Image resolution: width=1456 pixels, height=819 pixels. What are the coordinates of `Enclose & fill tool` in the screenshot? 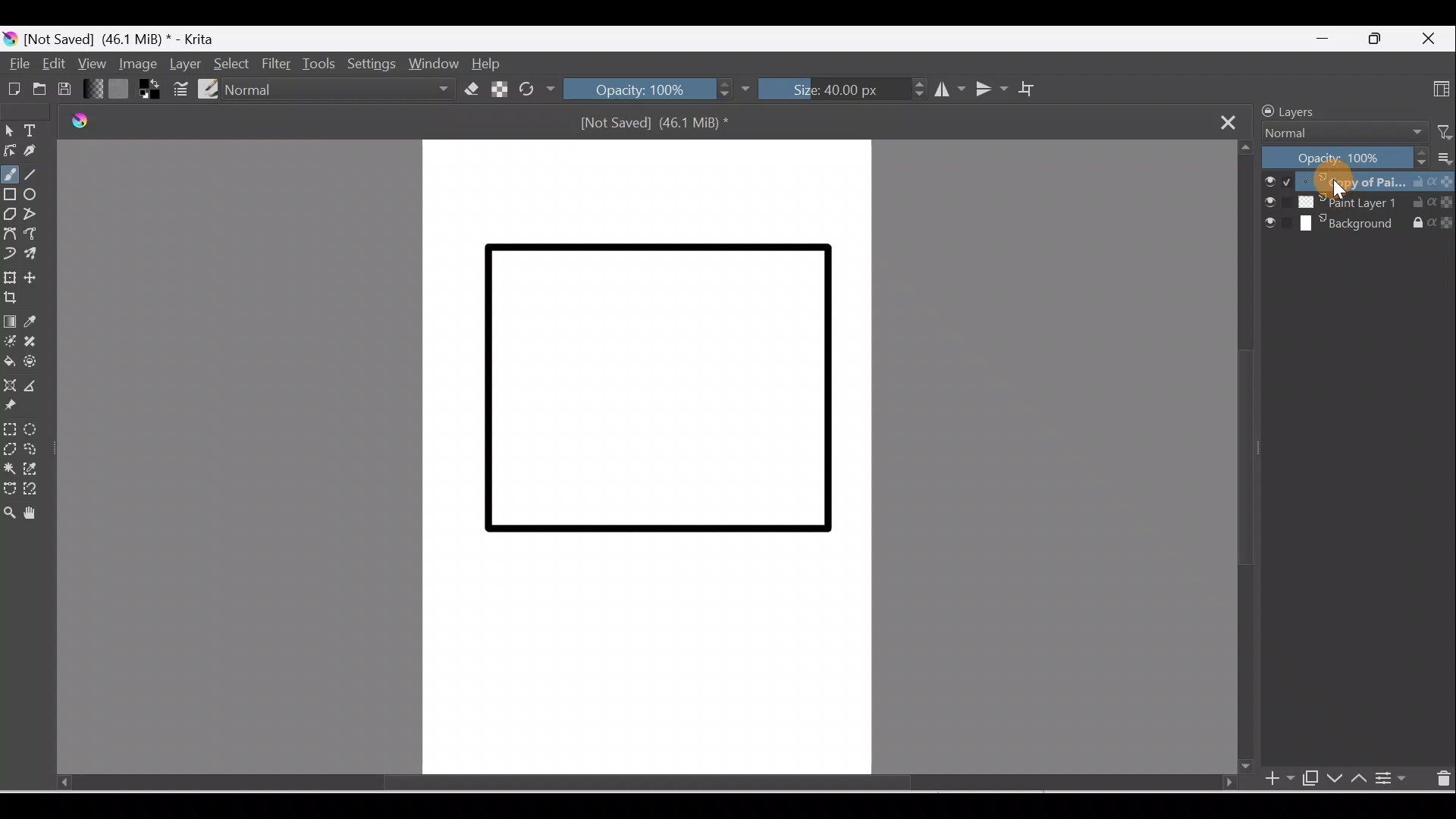 It's located at (35, 365).